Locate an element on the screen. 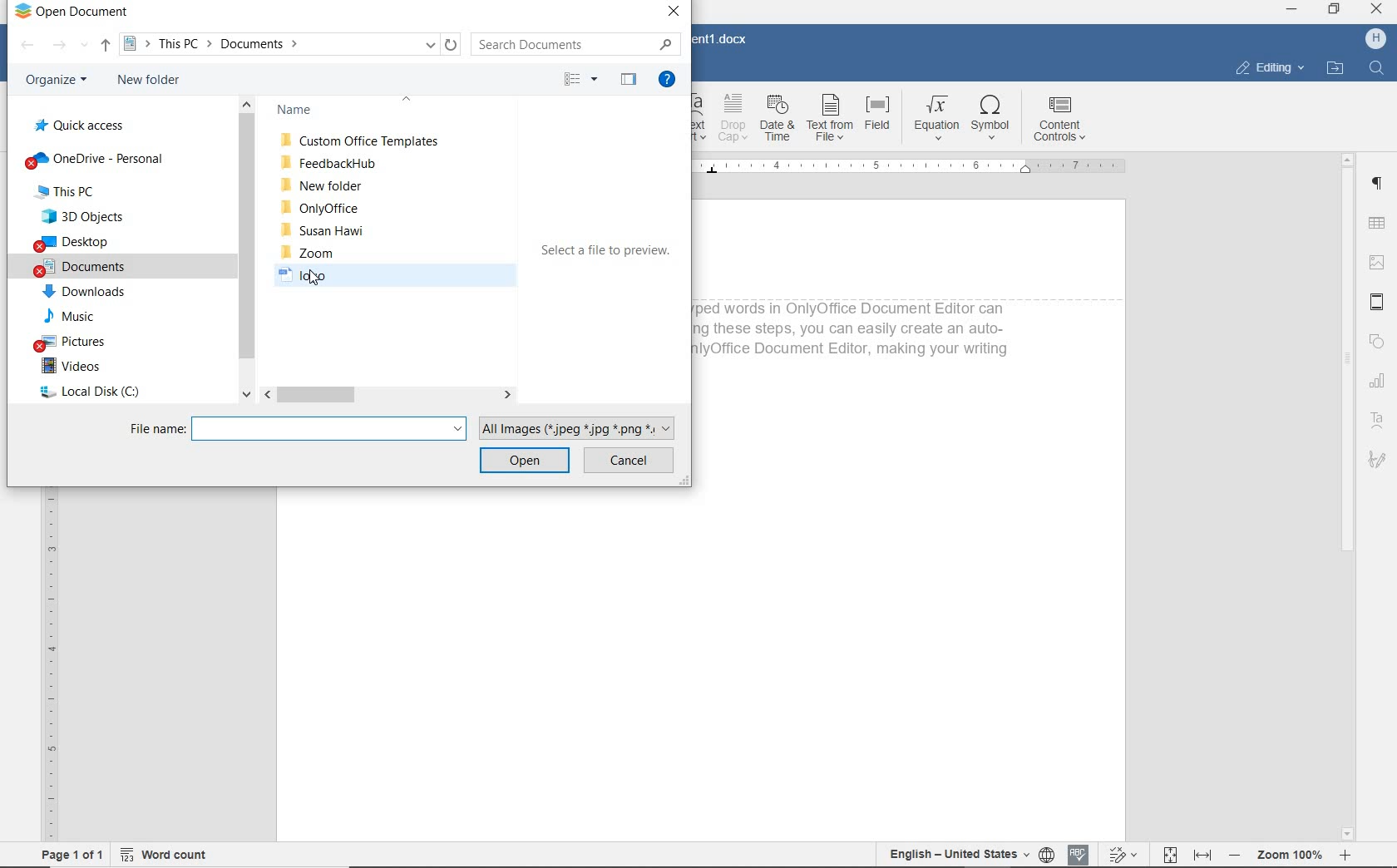 The image size is (1397, 868). FIT TO WIDTH is located at coordinates (1202, 855).